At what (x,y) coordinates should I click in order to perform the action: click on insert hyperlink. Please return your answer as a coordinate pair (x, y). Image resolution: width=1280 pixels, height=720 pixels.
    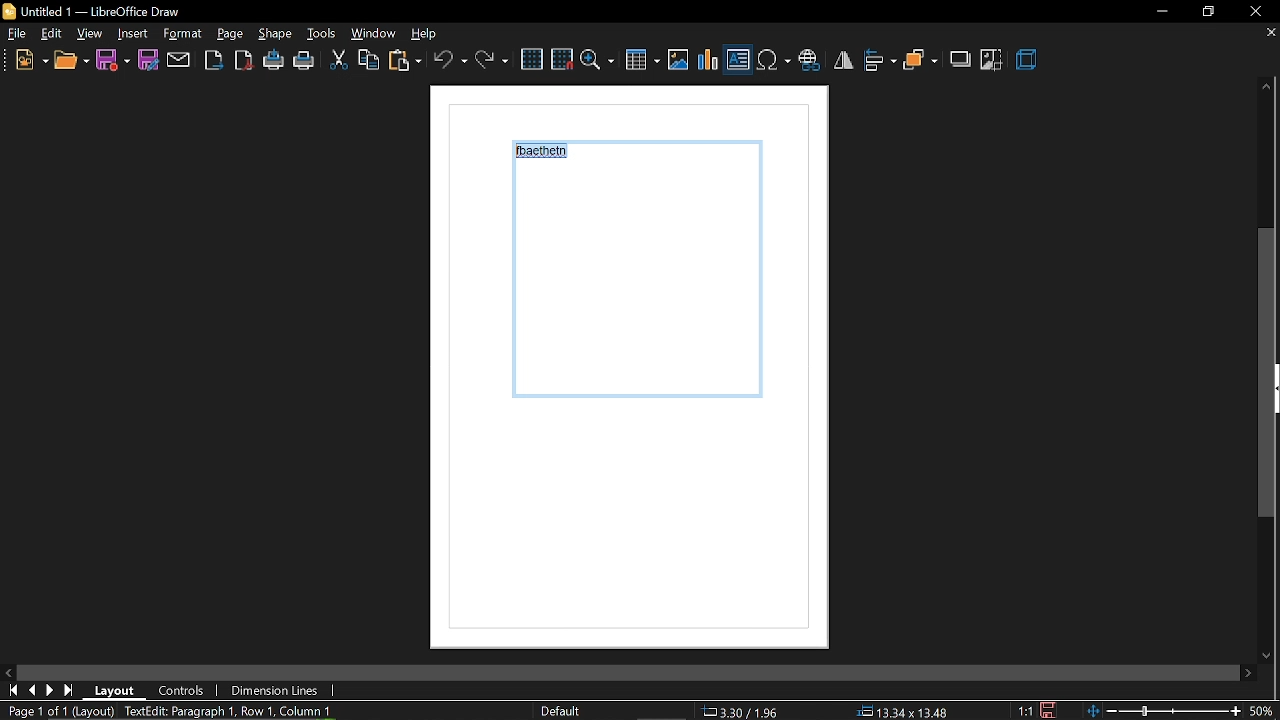
    Looking at the image, I should click on (809, 62).